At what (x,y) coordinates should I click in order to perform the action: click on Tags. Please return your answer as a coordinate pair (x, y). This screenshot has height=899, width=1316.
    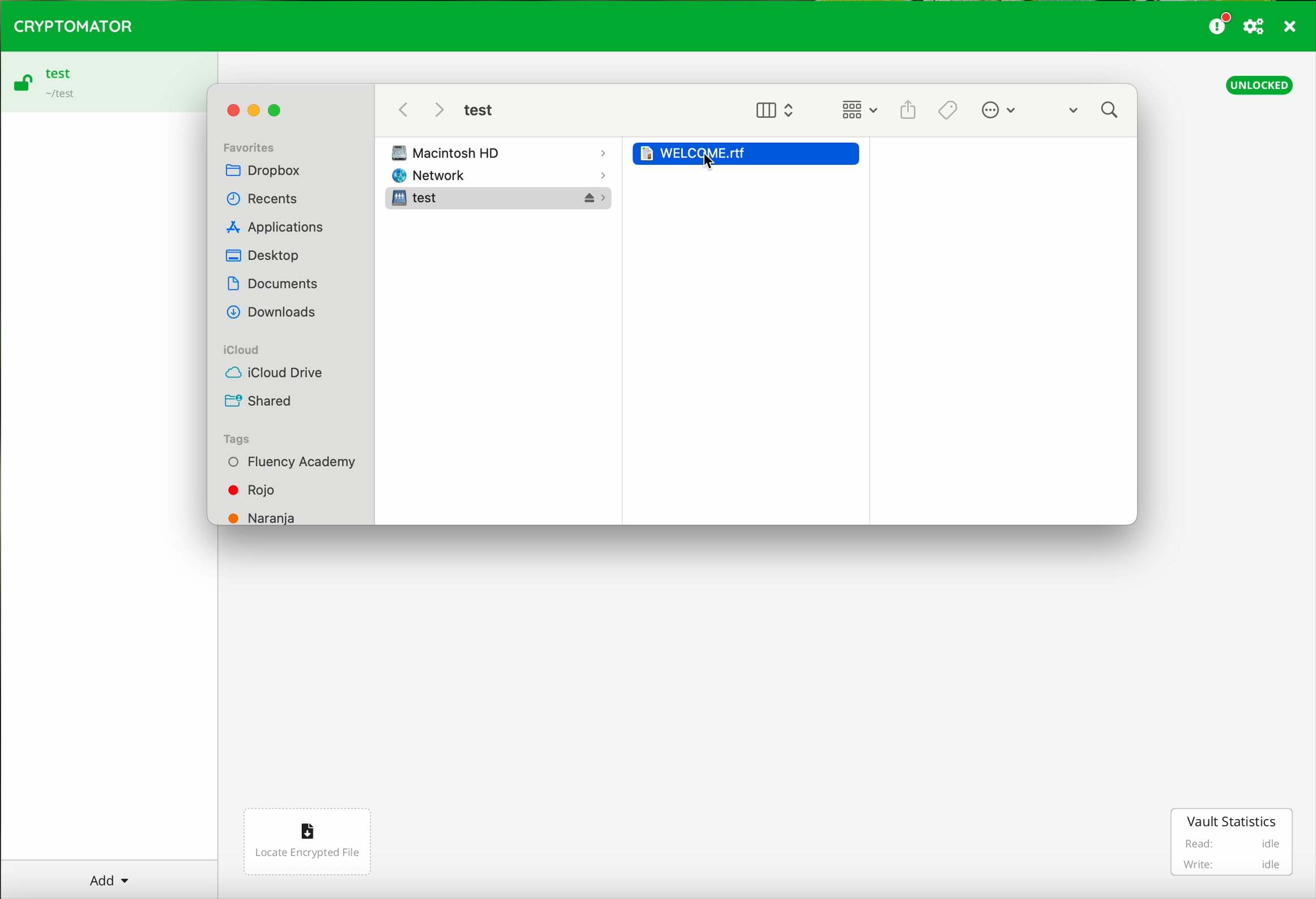
    Looking at the image, I should click on (237, 439).